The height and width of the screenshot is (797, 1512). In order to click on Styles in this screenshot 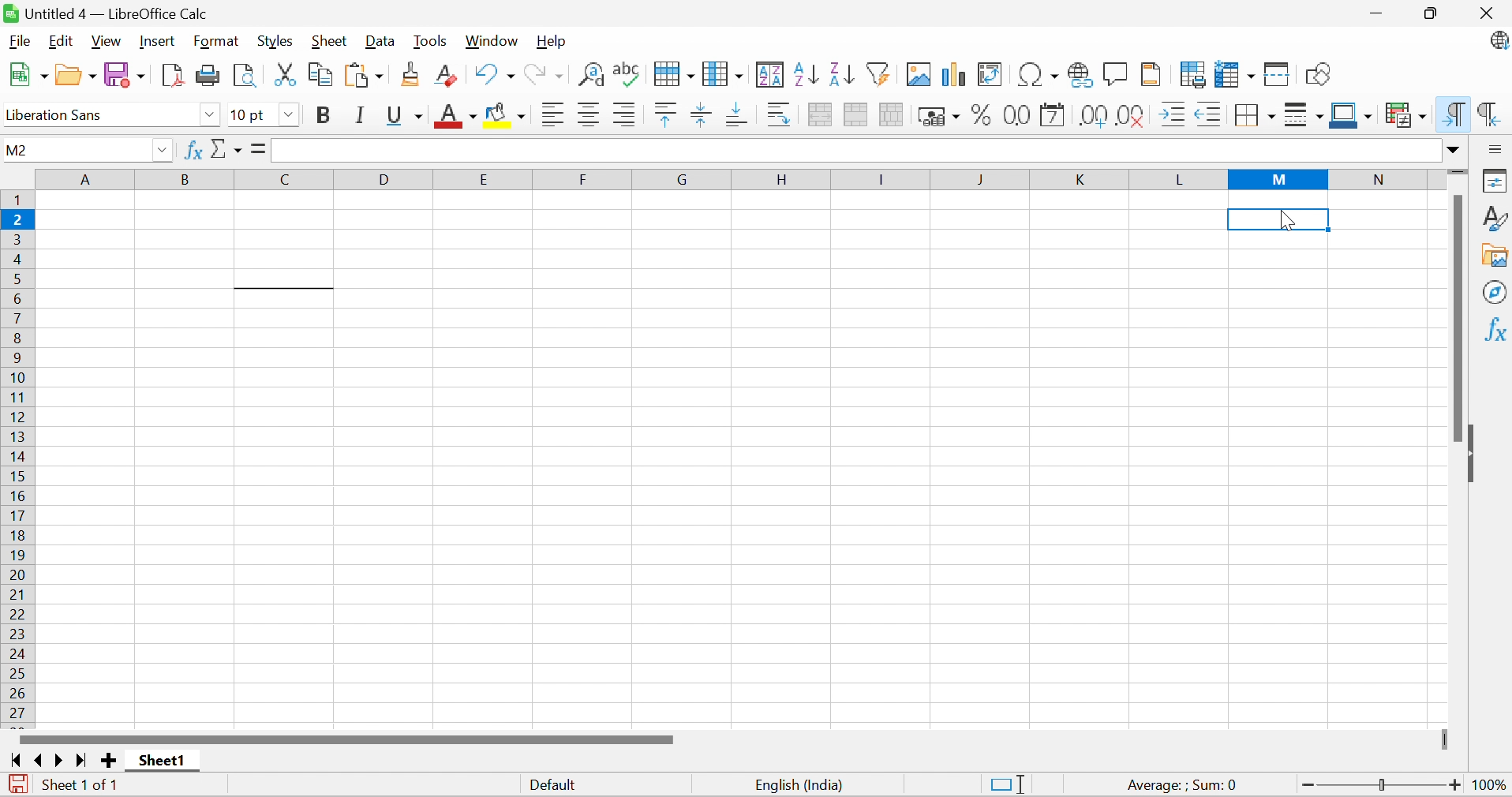, I will do `click(1496, 217)`.